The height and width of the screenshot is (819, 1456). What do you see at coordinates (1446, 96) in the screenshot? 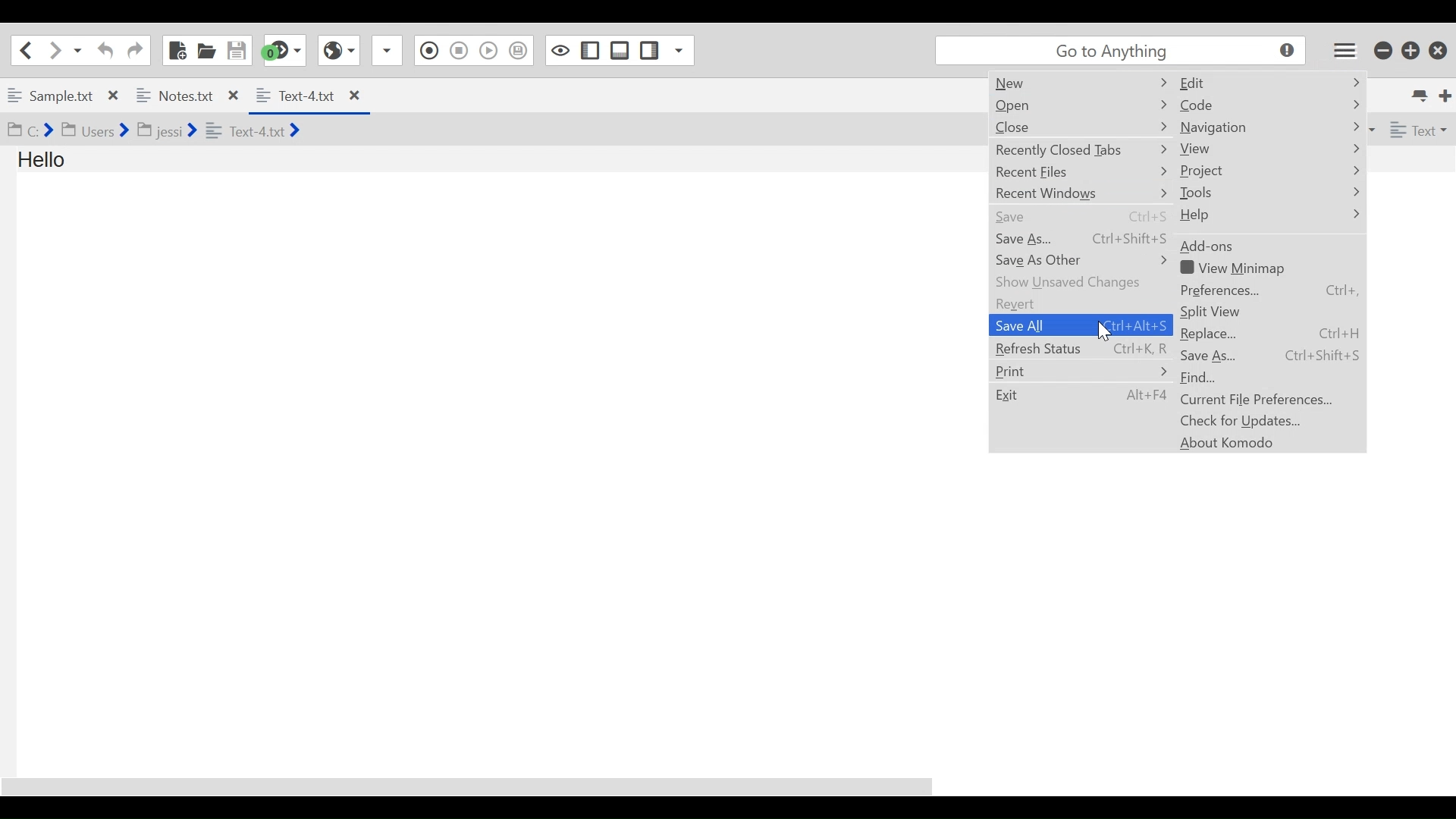
I see `New Tab` at bounding box center [1446, 96].